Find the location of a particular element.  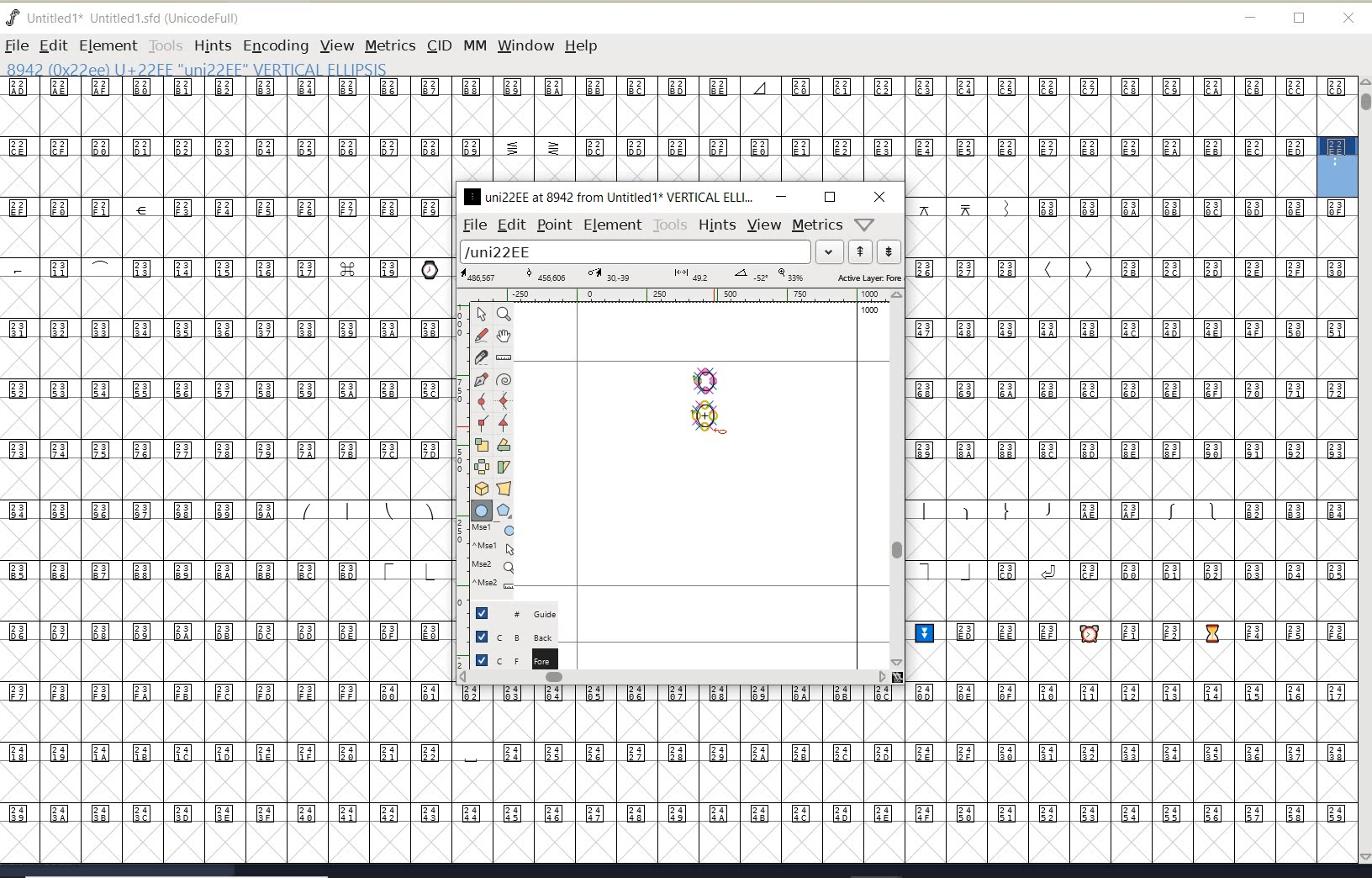

close is located at coordinates (880, 197).